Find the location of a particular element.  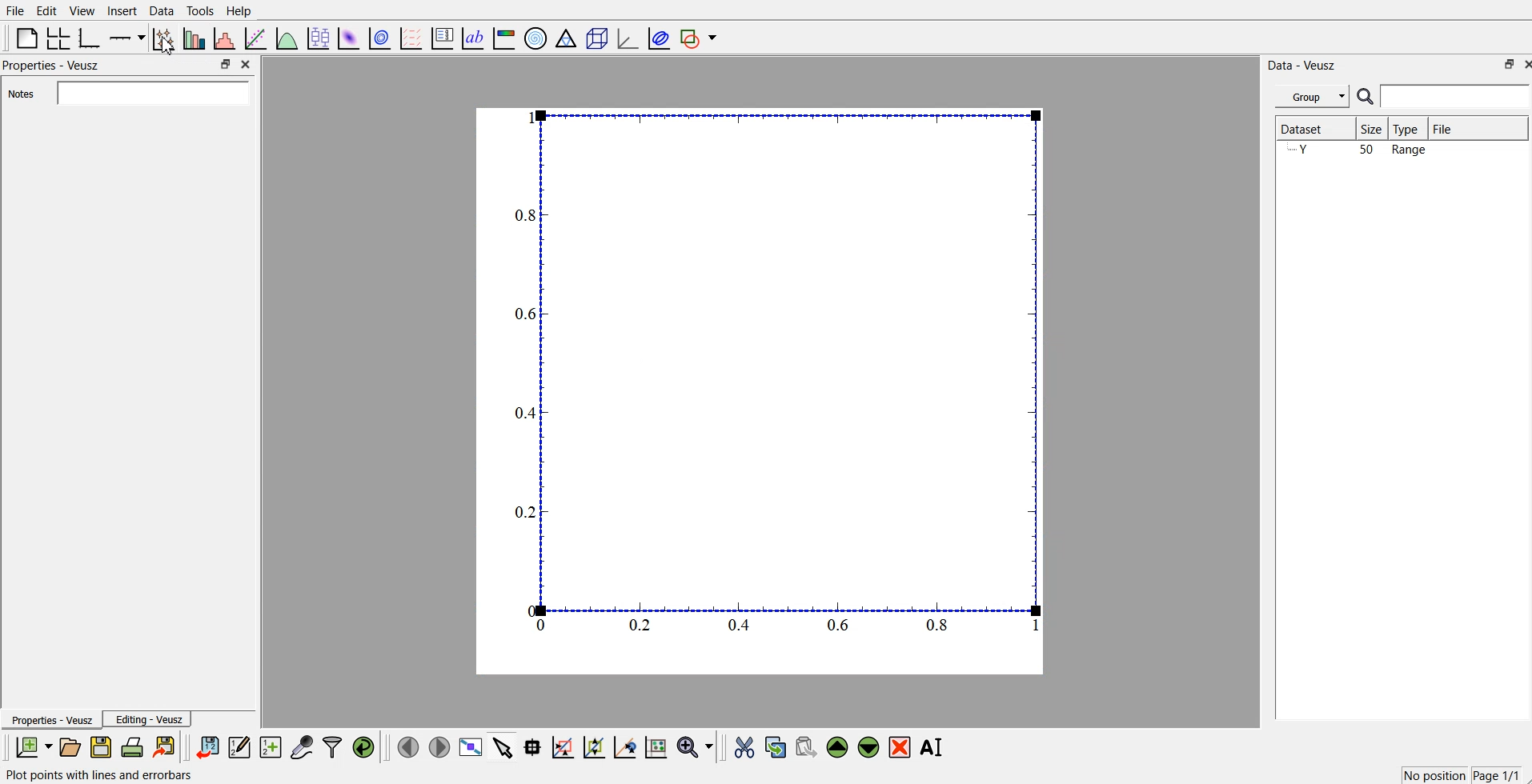

import data points is located at coordinates (208, 748).